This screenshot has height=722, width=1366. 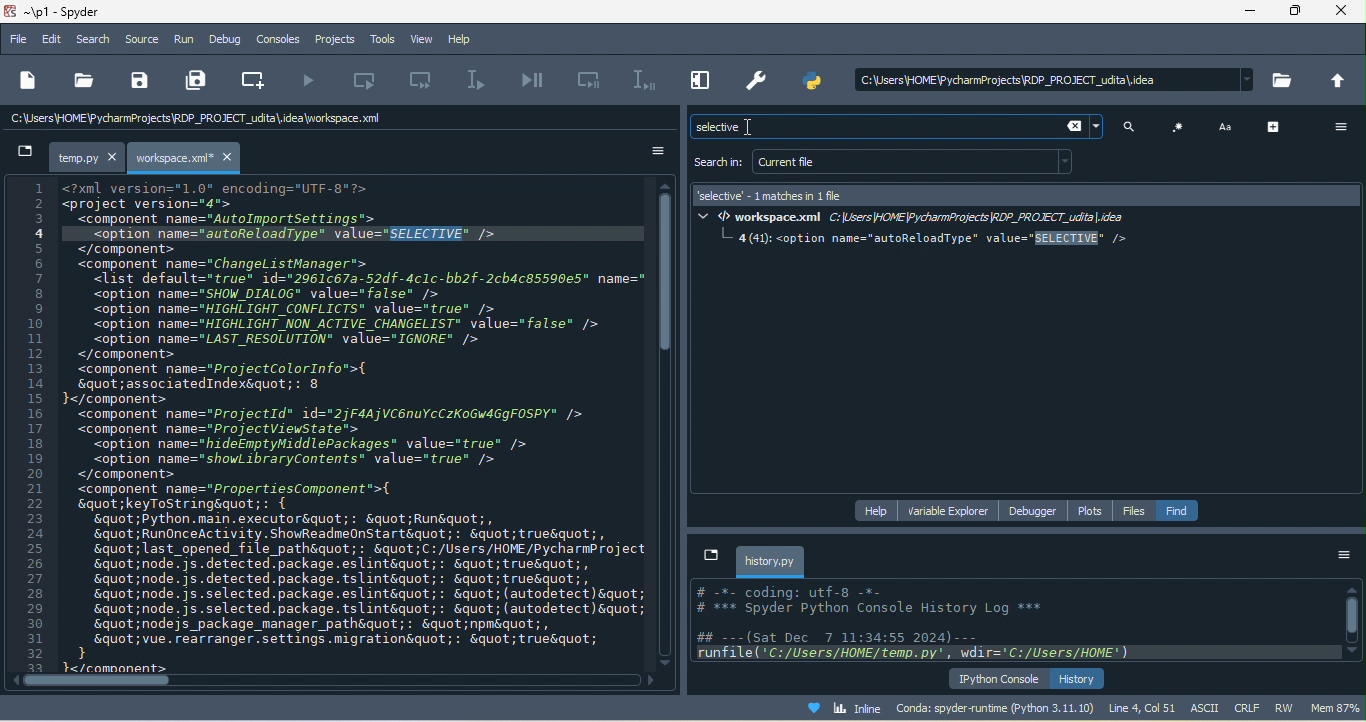 I want to click on vertical scroll bar, so click(x=669, y=277).